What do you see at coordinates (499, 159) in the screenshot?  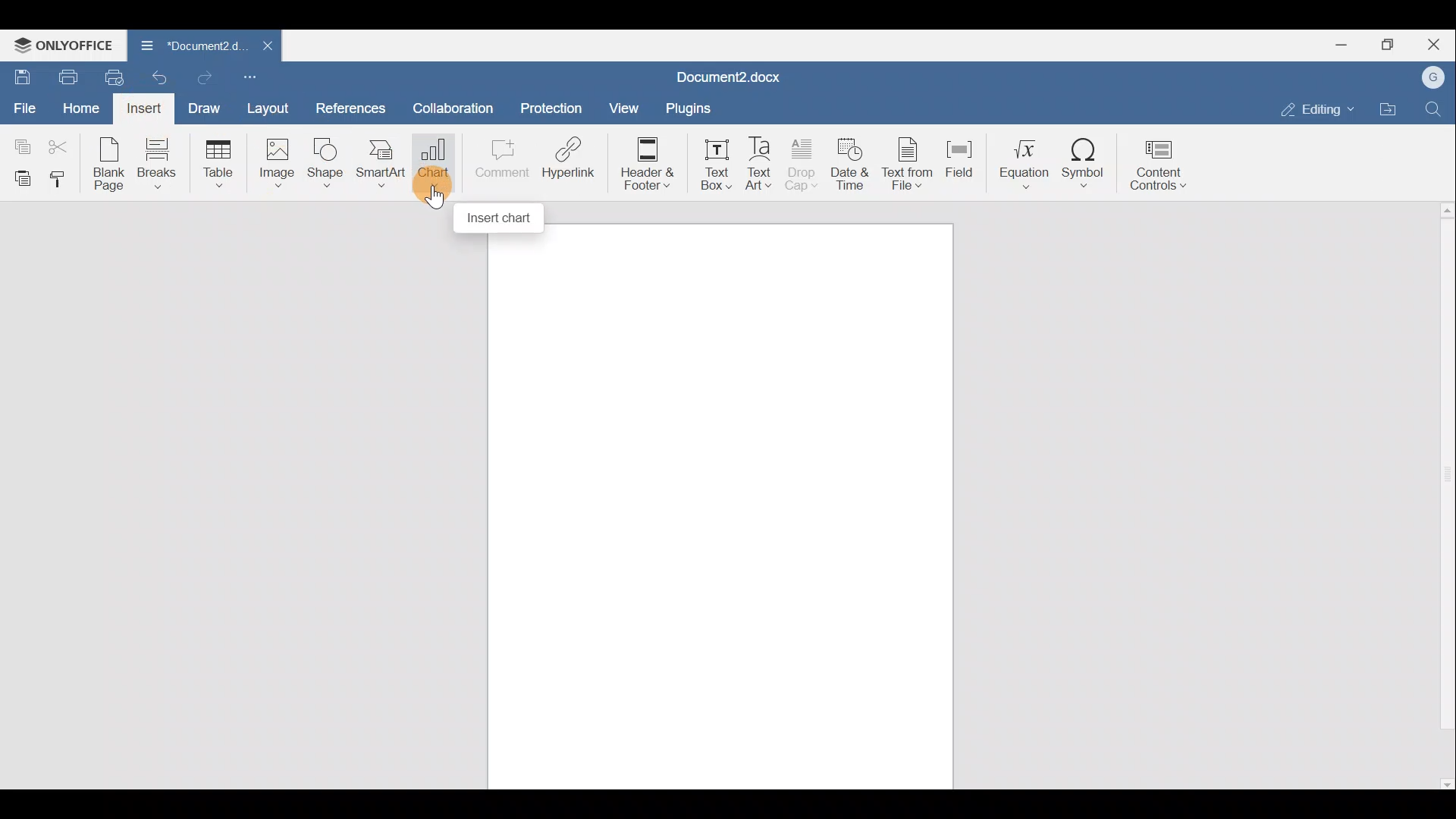 I see `Comment` at bounding box center [499, 159].